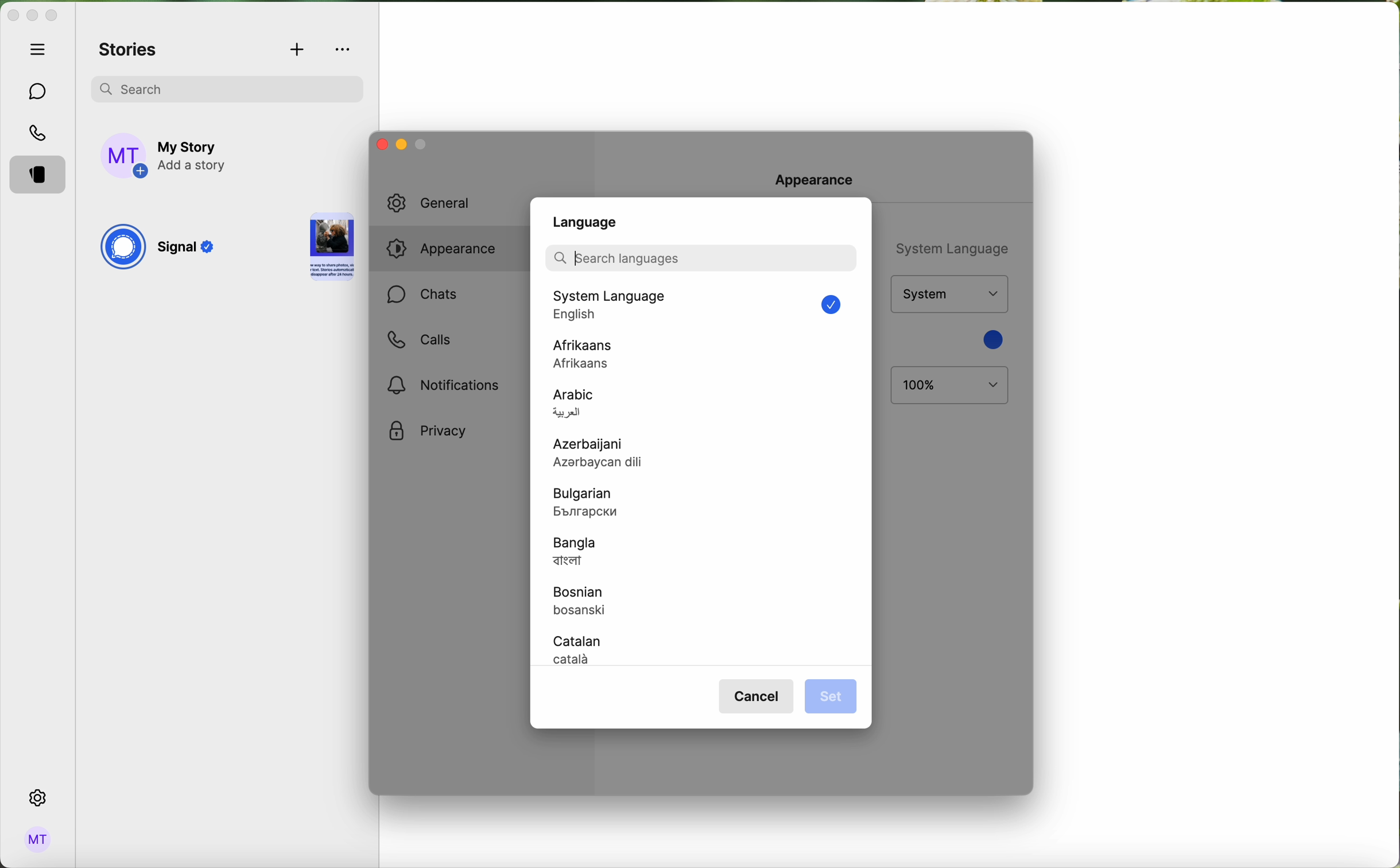 This screenshot has width=1400, height=868. What do you see at coordinates (125, 156) in the screenshot?
I see `profile photo` at bounding box center [125, 156].